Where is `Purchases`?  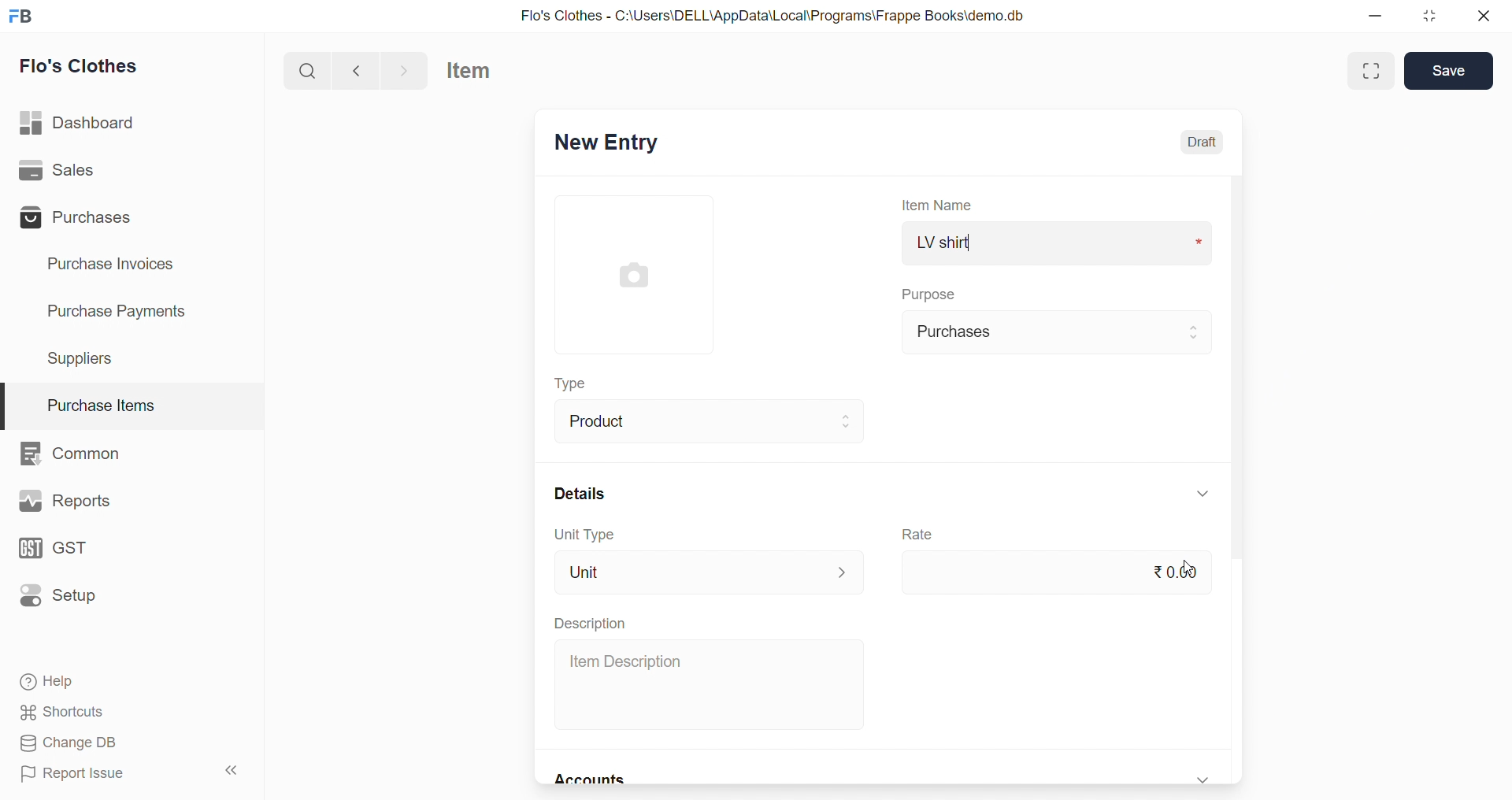 Purchases is located at coordinates (80, 217).